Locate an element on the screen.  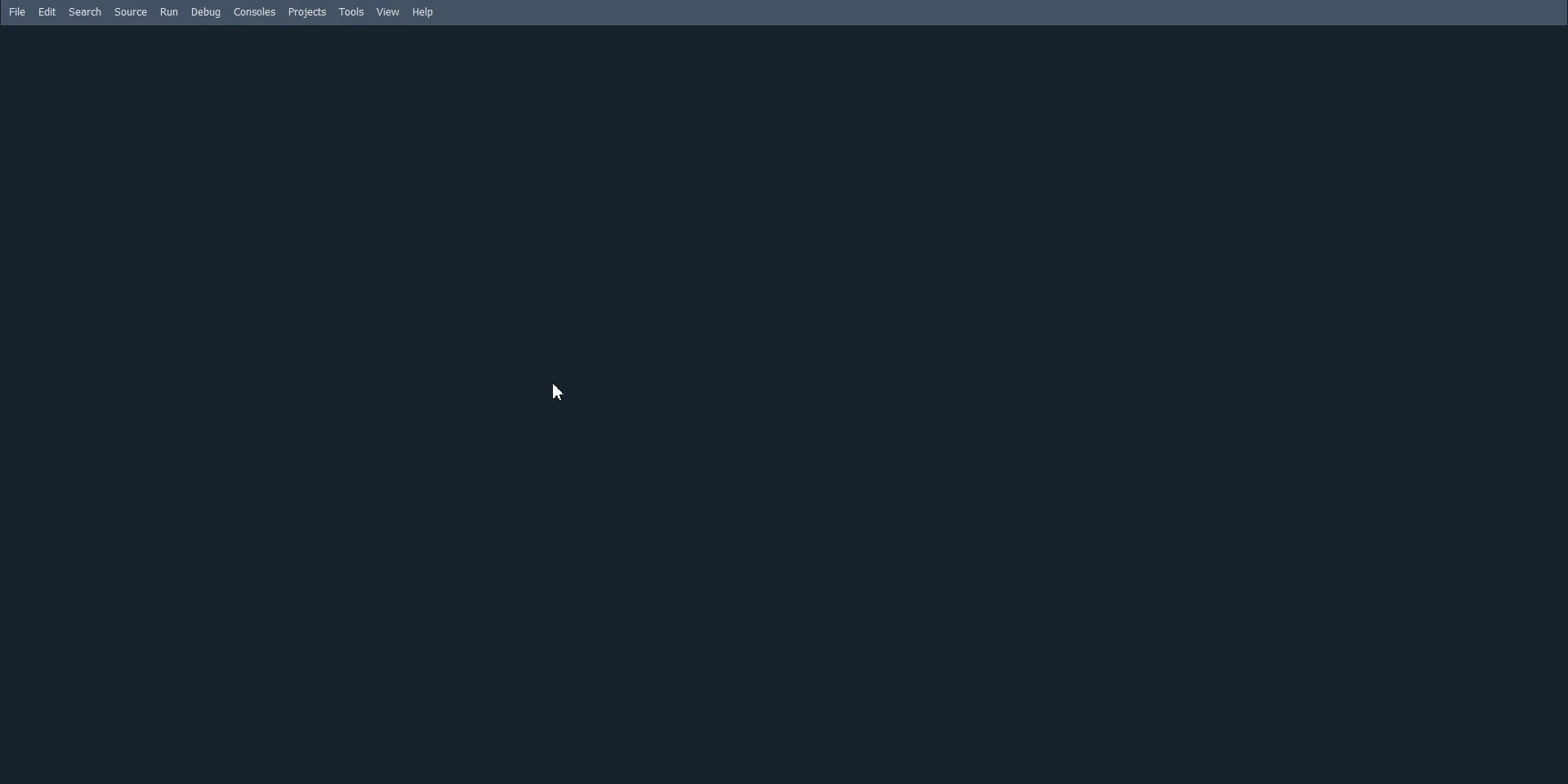
Projects is located at coordinates (308, 13).